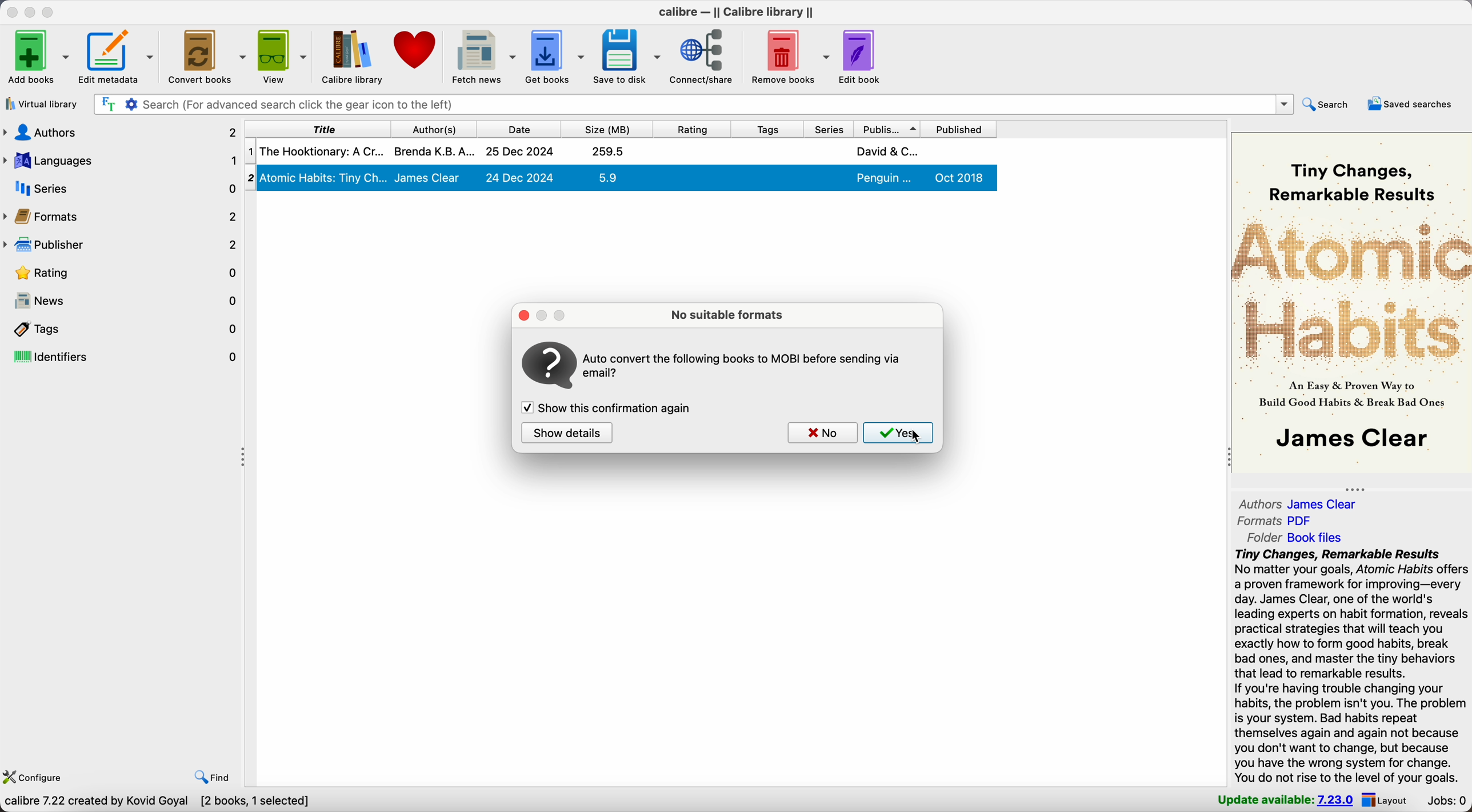  What do you see at coordinates (416, 49) in the screenshot?
I see `donate` at bounding box center [416, 49].